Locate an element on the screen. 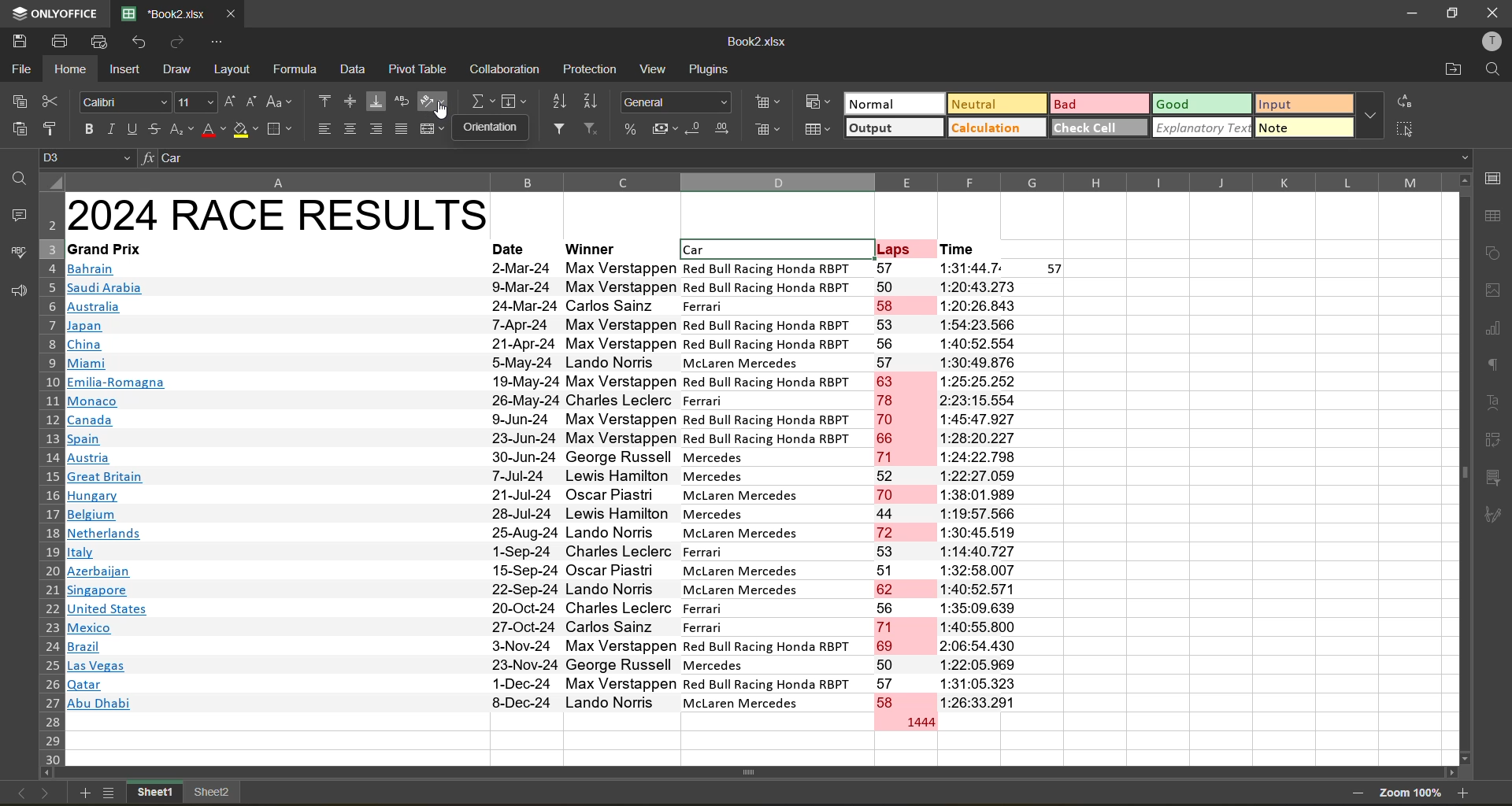  text is located at coordinates (1495, 402).